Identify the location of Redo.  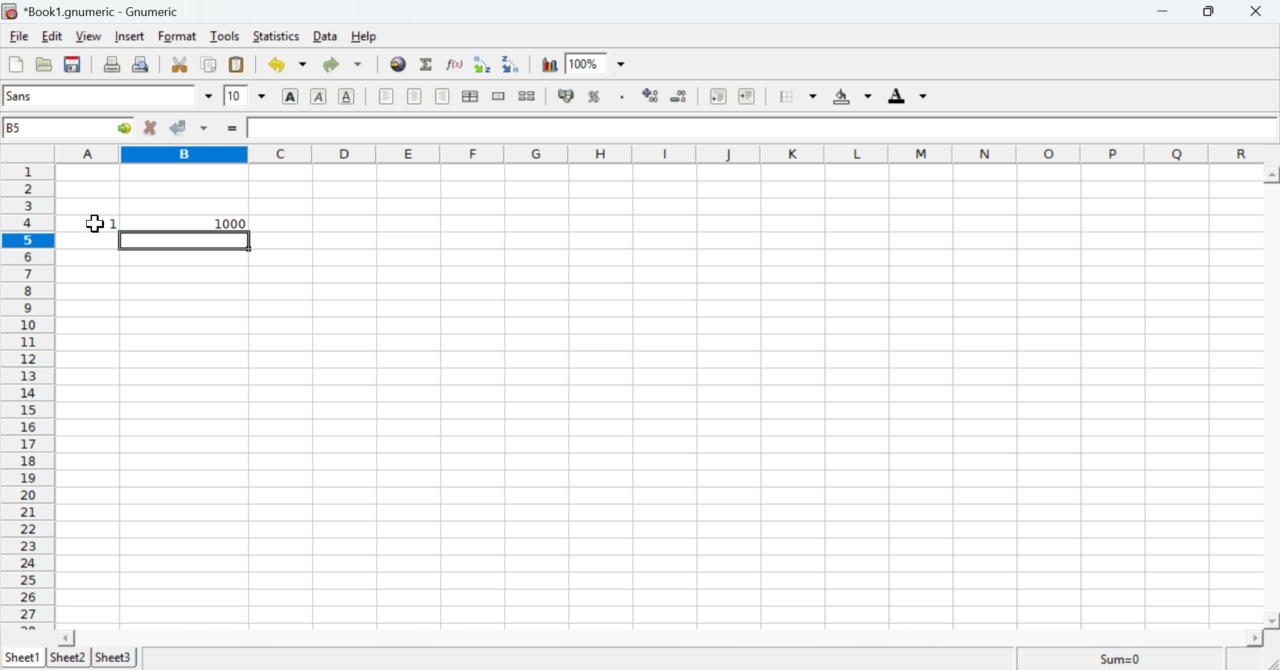
(343, 63).